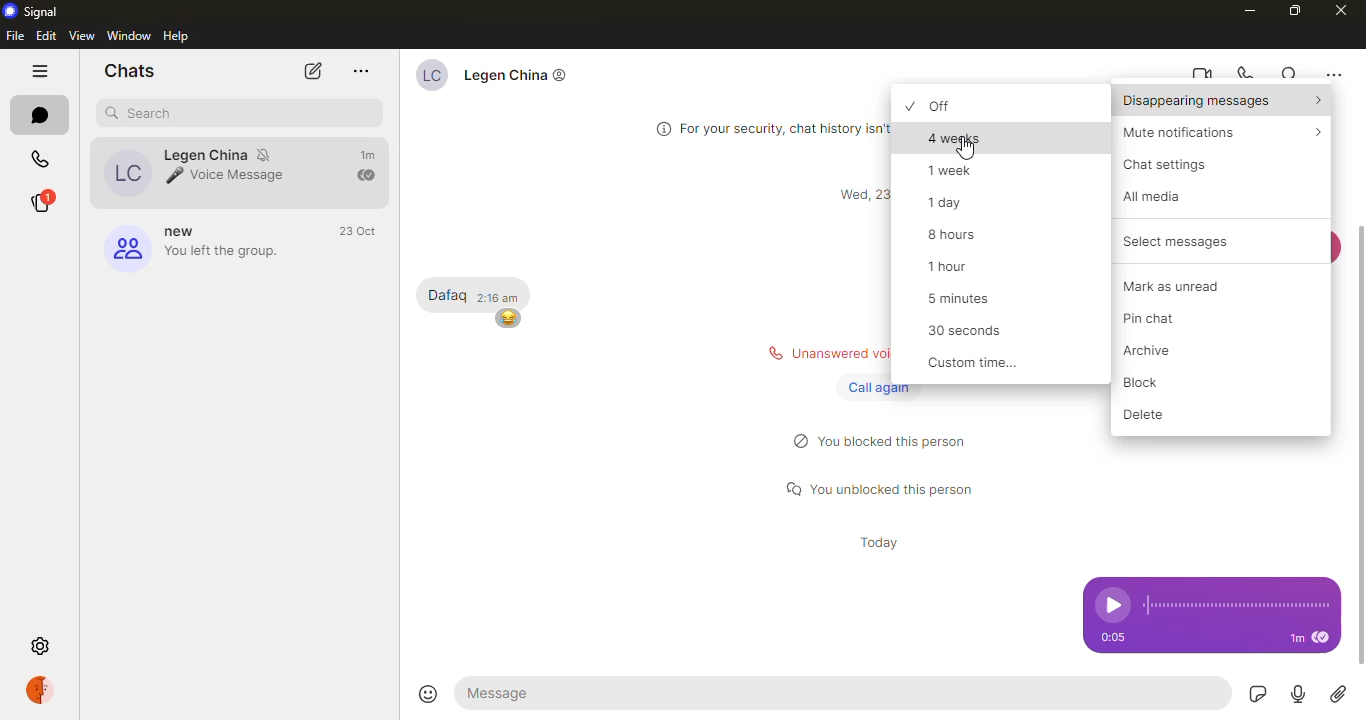 The image size is (1366, 720). I want to click on search, so click(1290, 74).